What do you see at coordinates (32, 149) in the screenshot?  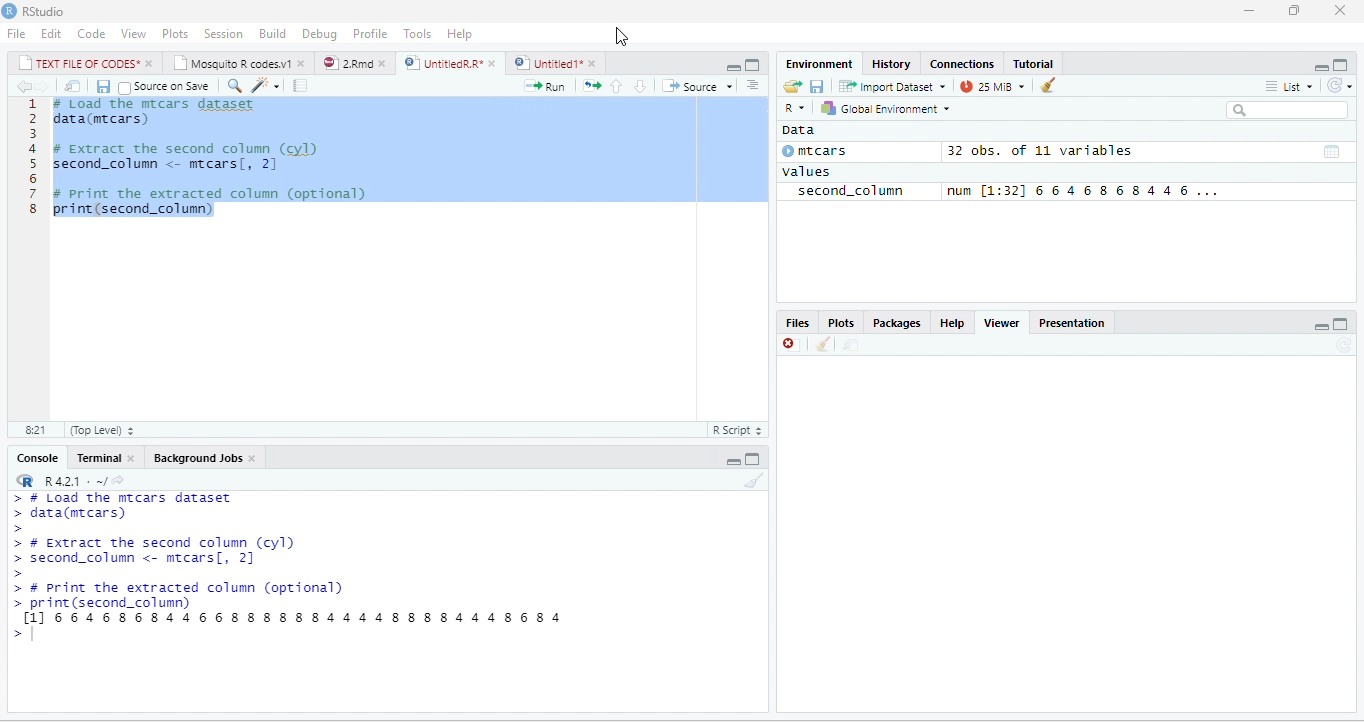 I see `4` at bounding box center [32, 149].